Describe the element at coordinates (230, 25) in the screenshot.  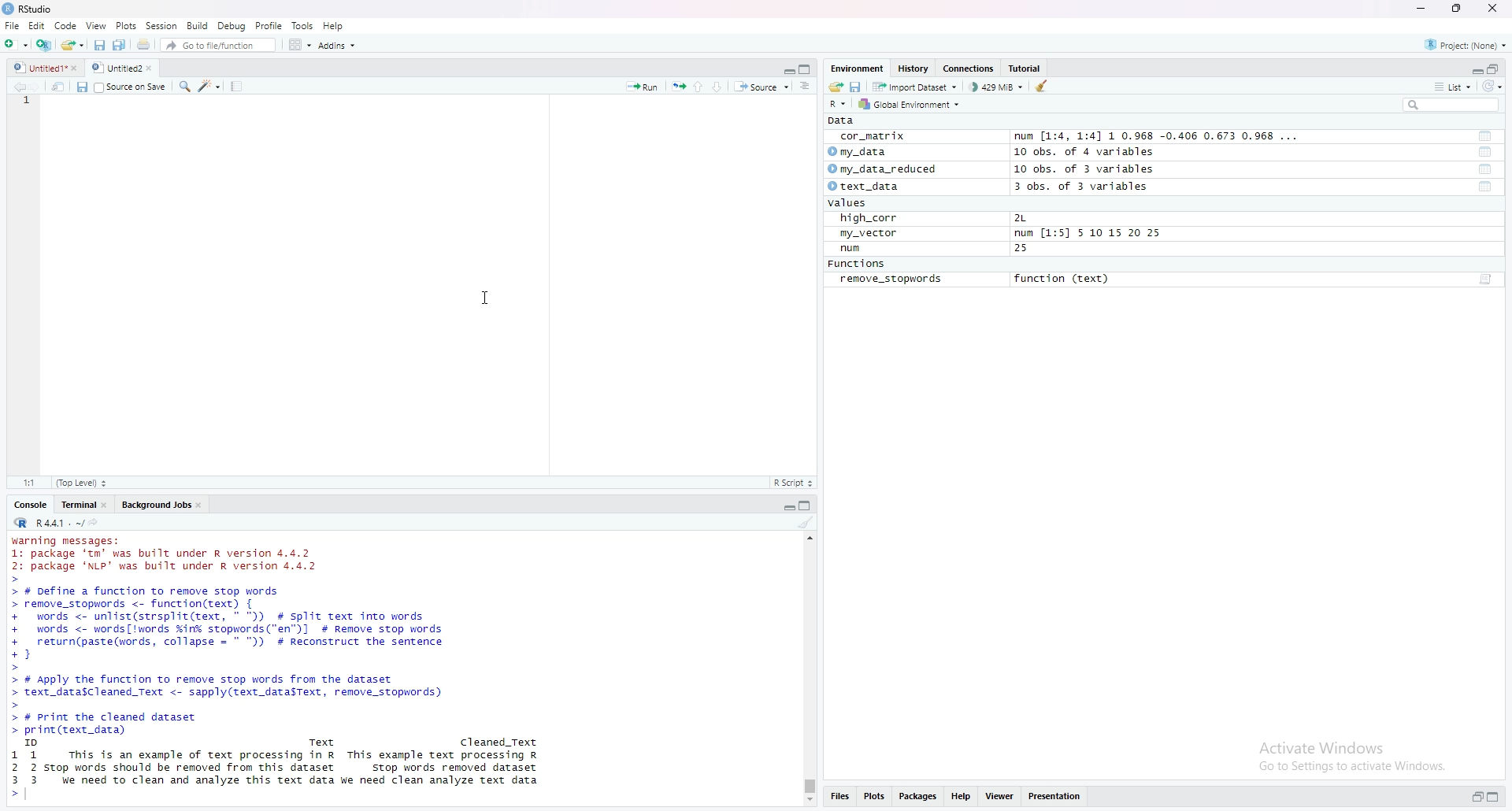
I see `Debug` at that location.